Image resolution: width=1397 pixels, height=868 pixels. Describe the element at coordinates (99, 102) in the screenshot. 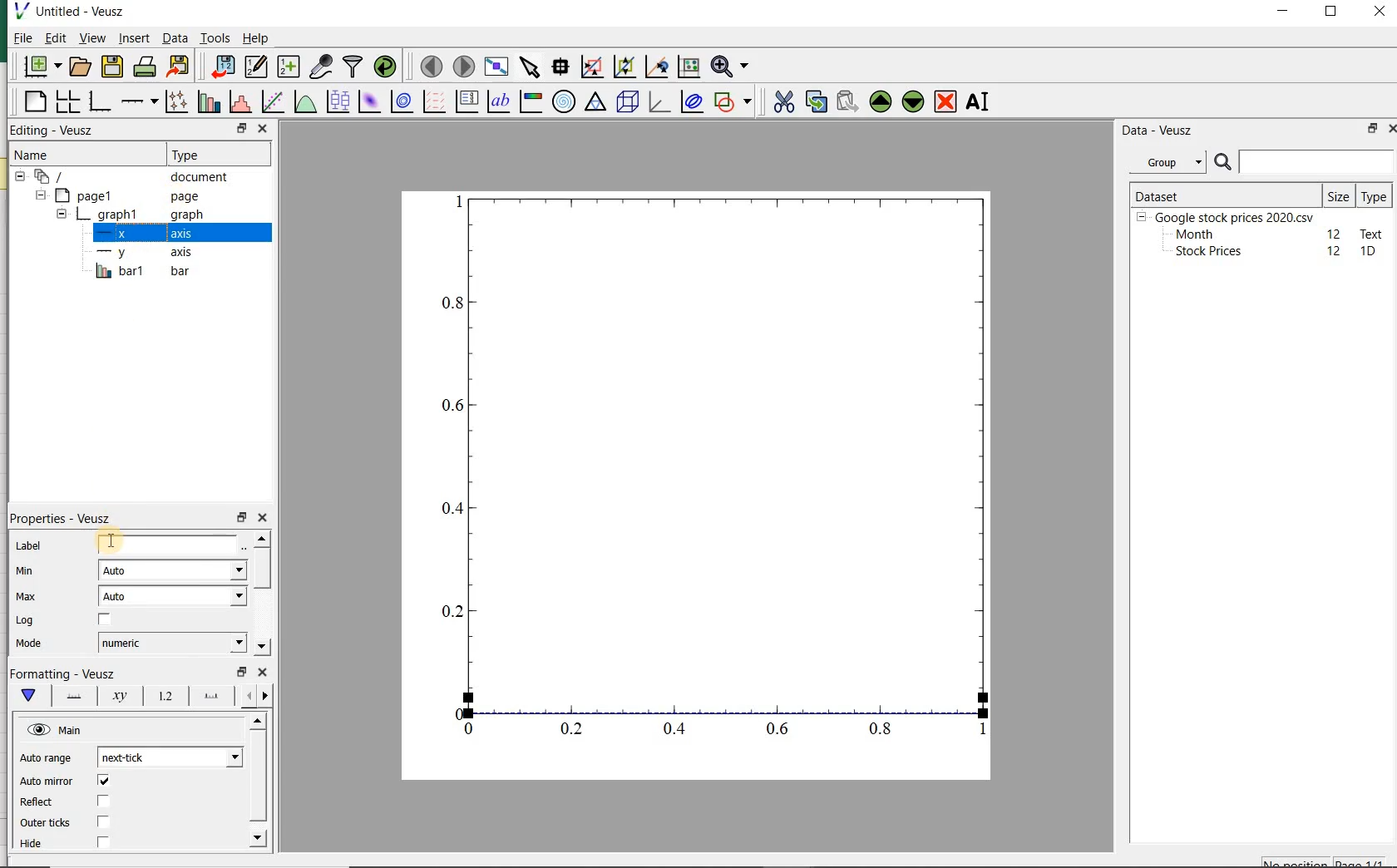

I see `base graph` at that location.